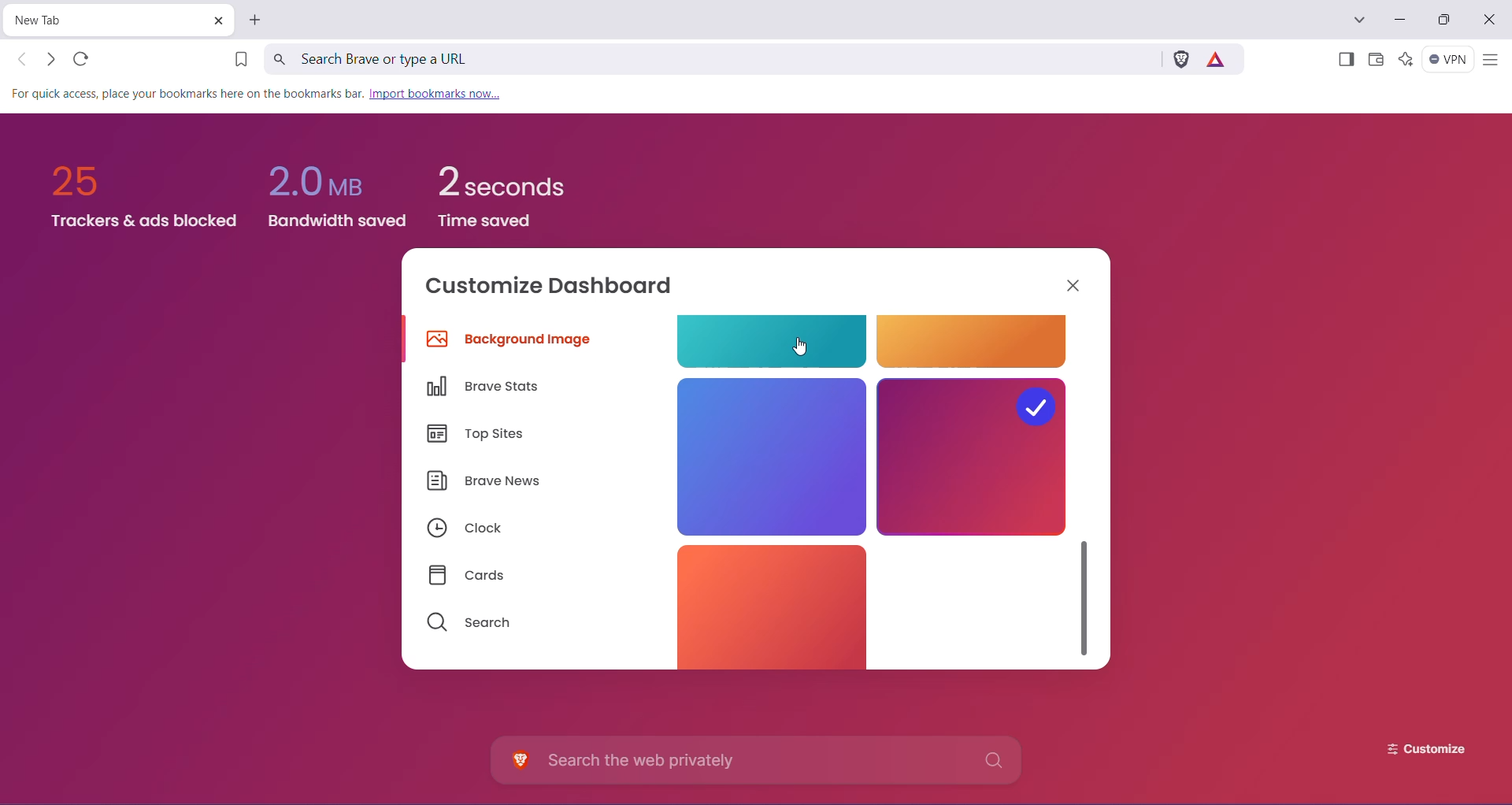  I want to click on Minimize, so click(1399, 20).